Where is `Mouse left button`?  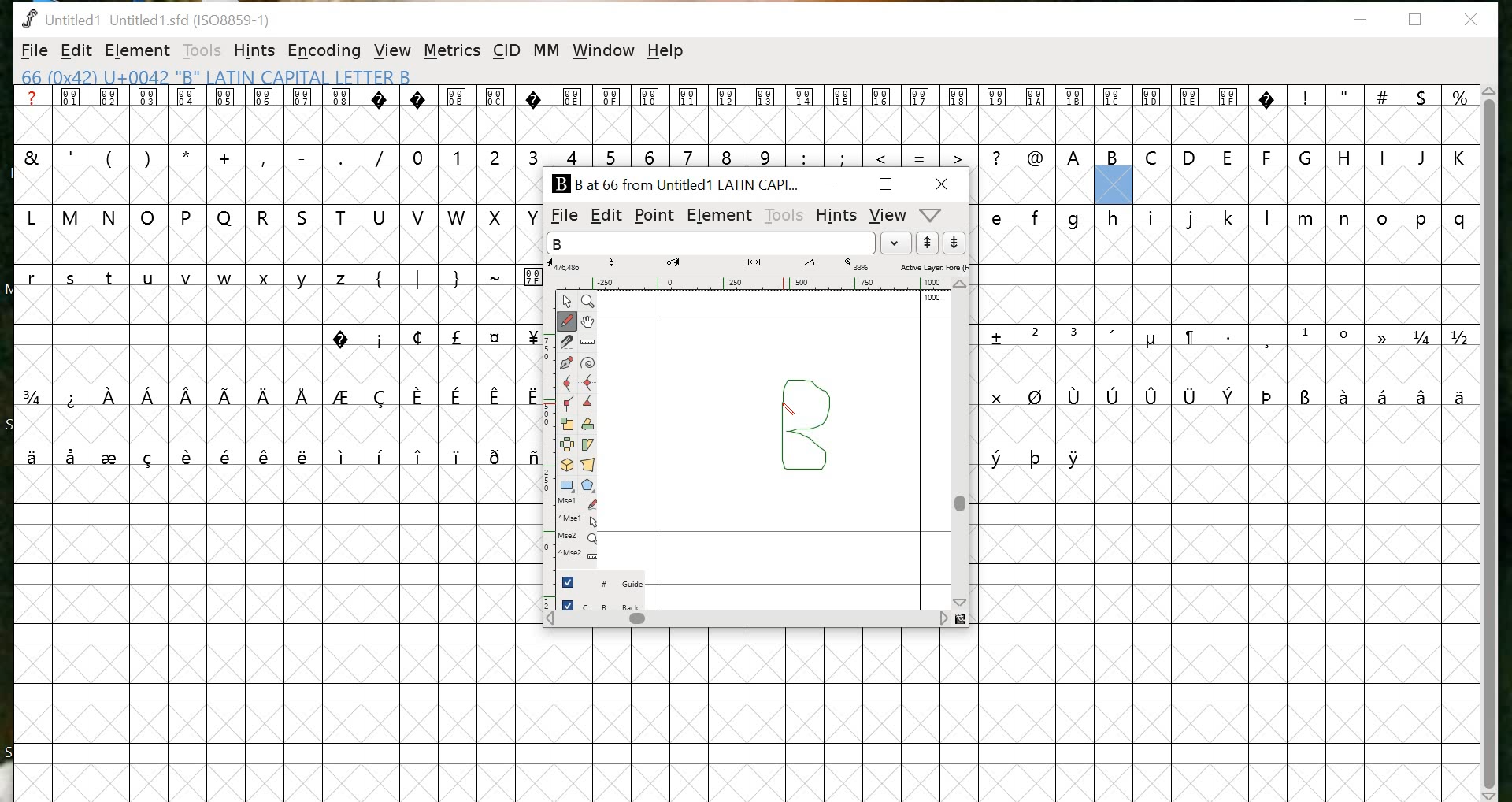 Mouse left button is located at coordinates (580, 504).